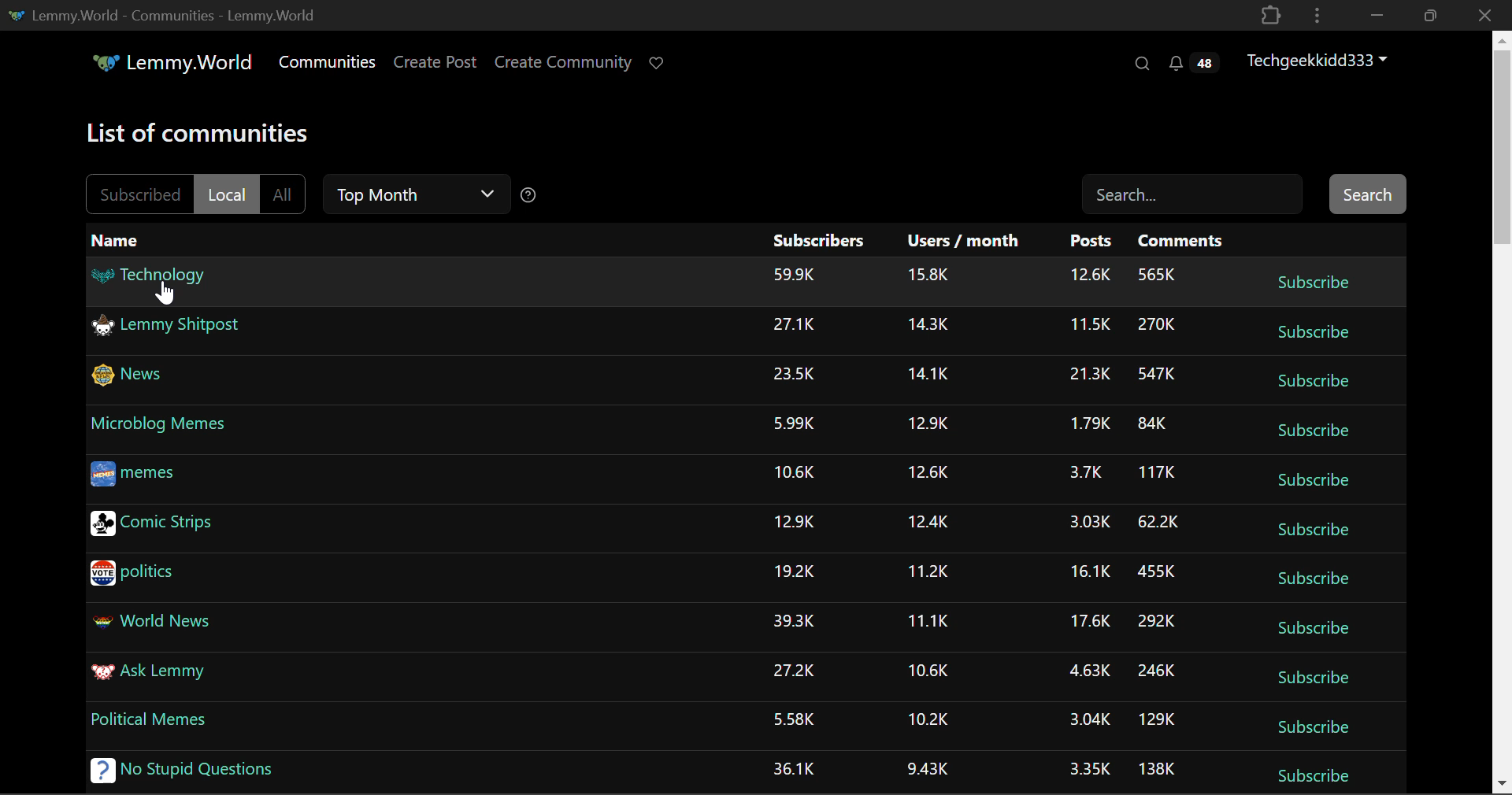 Image resolution: width=1512 pixels, height=795 pixels. I want to click on Amount , so click(792, 523).